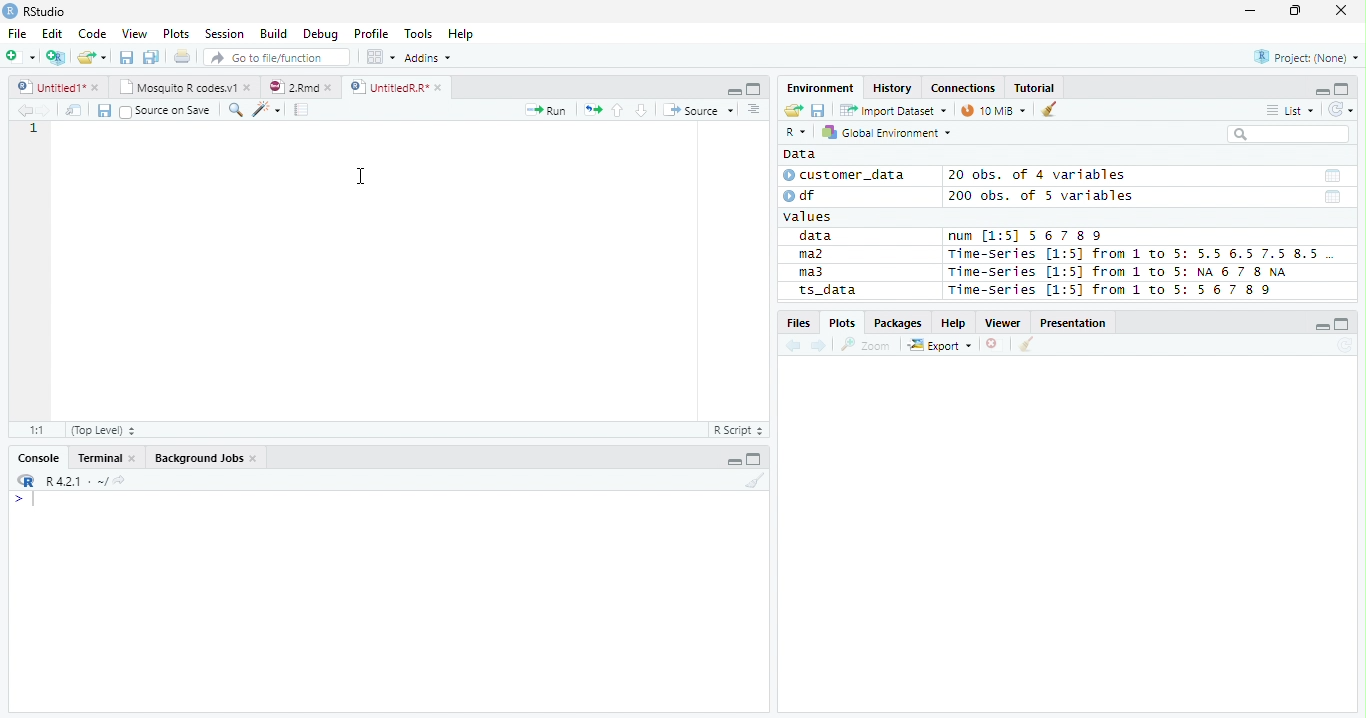 The width and height of the screenshot is (1366, 718). What do you see at coordinates (806, 195) in the screenshot?
I see `df` at bounding box center [806, 195].